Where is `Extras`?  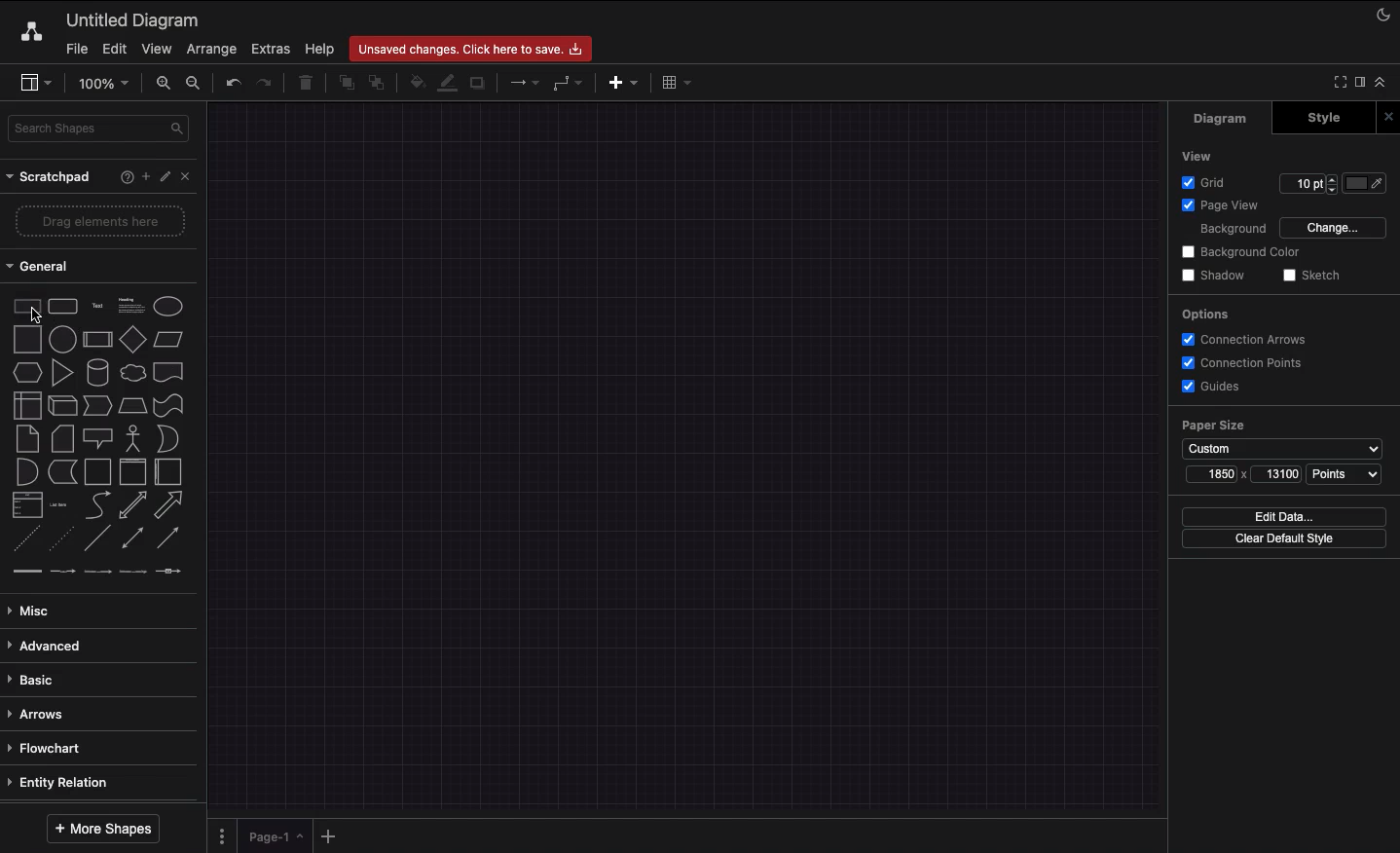
Extras is located at coordinates (268, 50).